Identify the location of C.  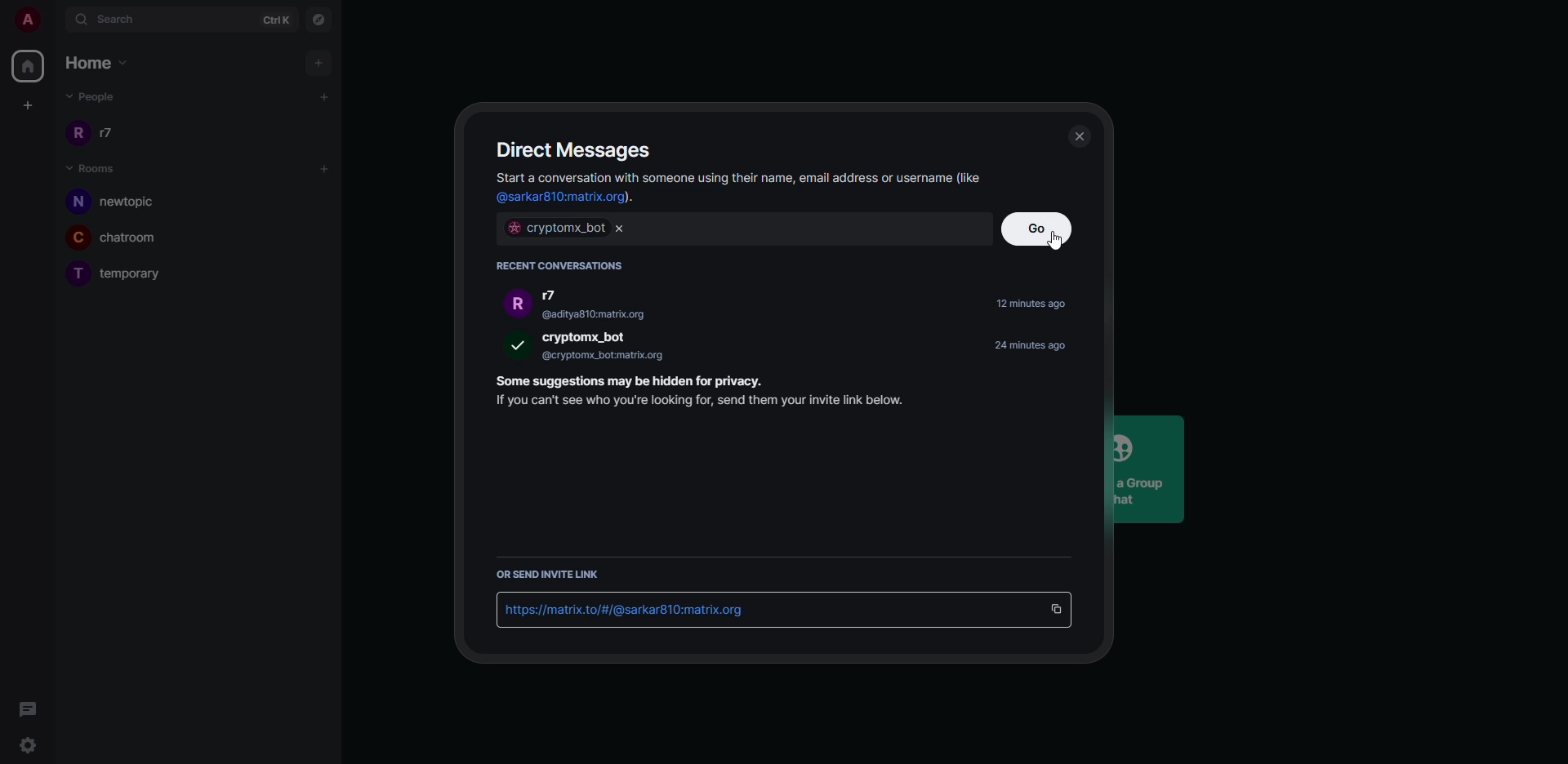
(79, 237).